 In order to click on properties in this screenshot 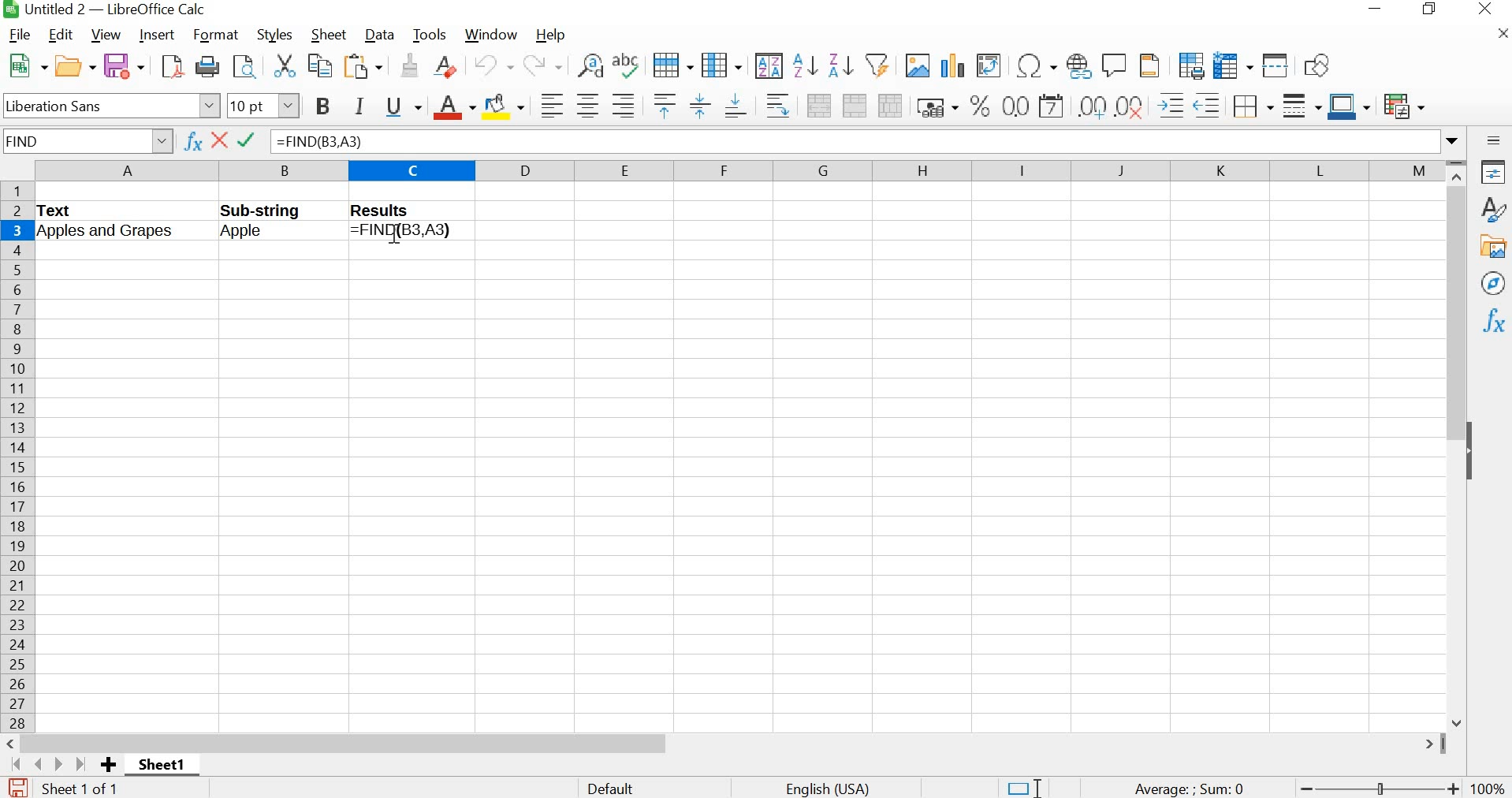, I will do `click(1492, 170)`.